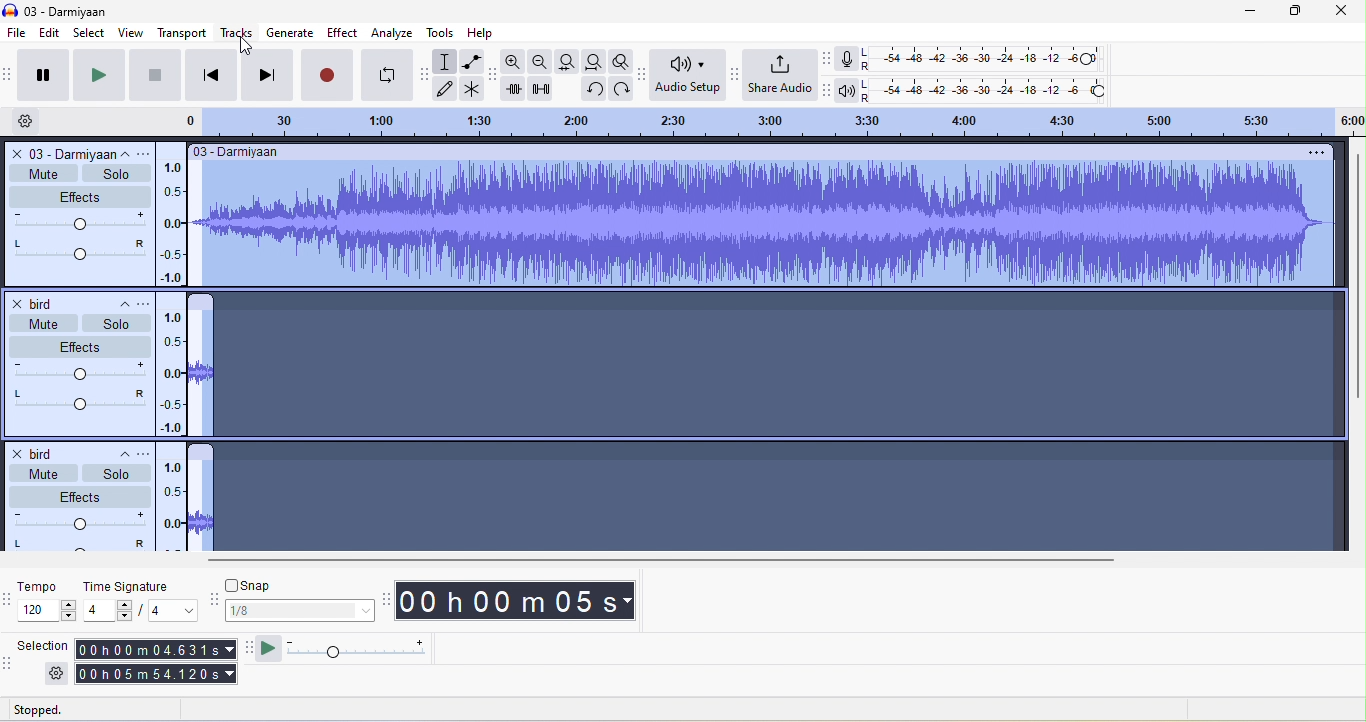 The height and width of the screenshot is (722, 1366). What do you see at coordinates (345, 34) in the screenshot?
I see `effect` at bounding box center [345, 34].